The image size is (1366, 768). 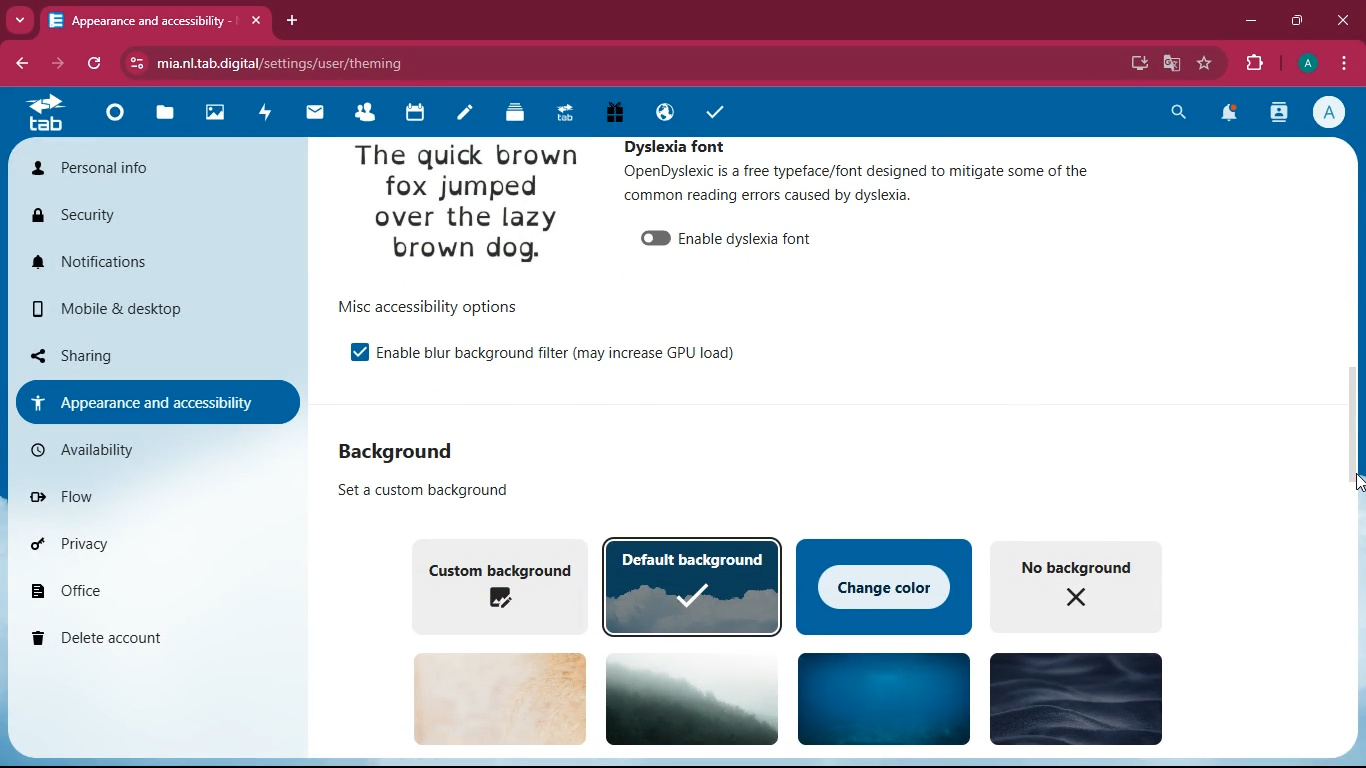 What do you see at coordinates (165, 115) in the screenshot?
I see `files` at bounding box center [165, 115].